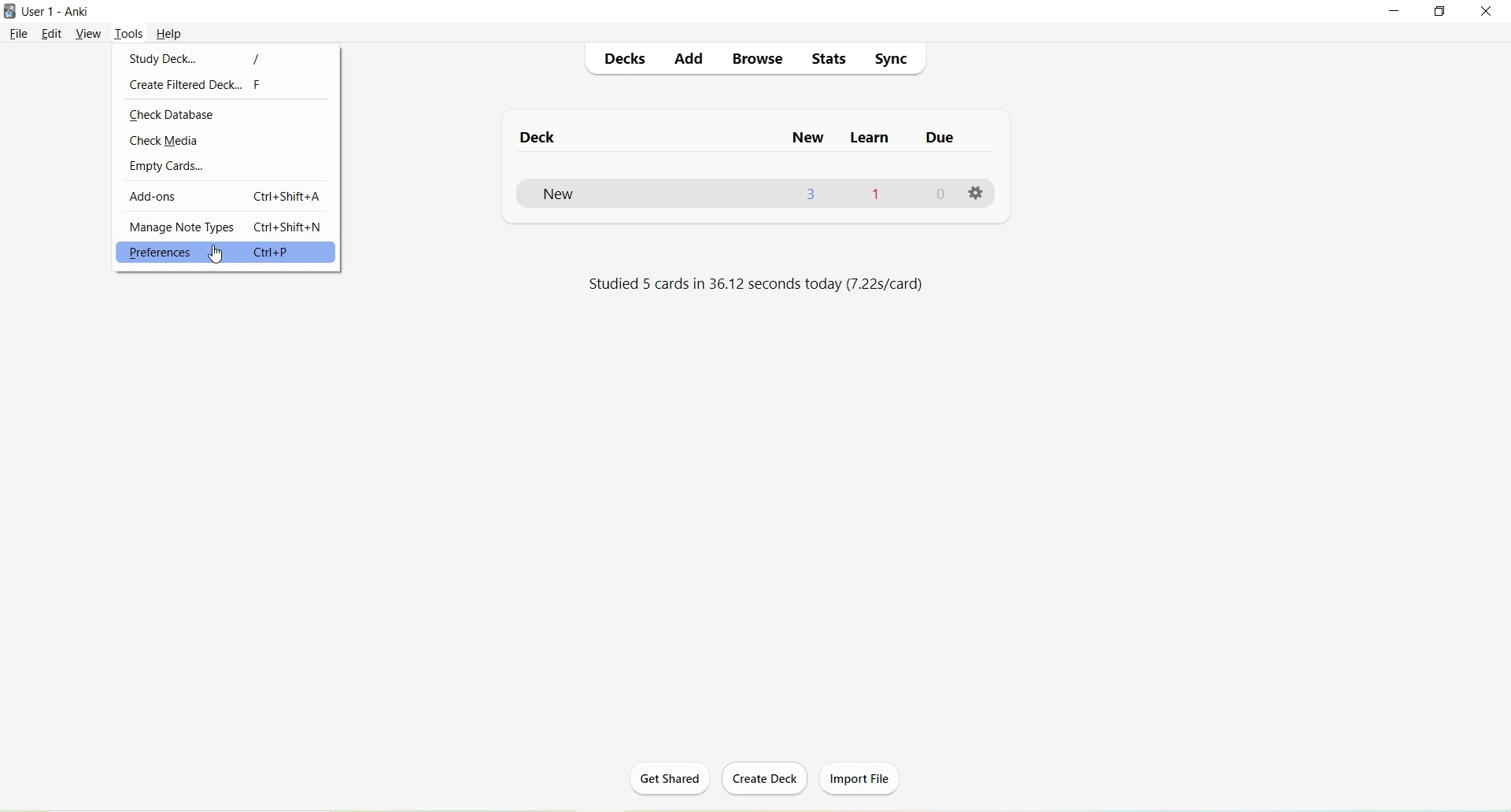 The width and height of the screenshot is (1511, 812). Describe the element at coordinates (260, 87) in the screenshot. I see `F` at that location.